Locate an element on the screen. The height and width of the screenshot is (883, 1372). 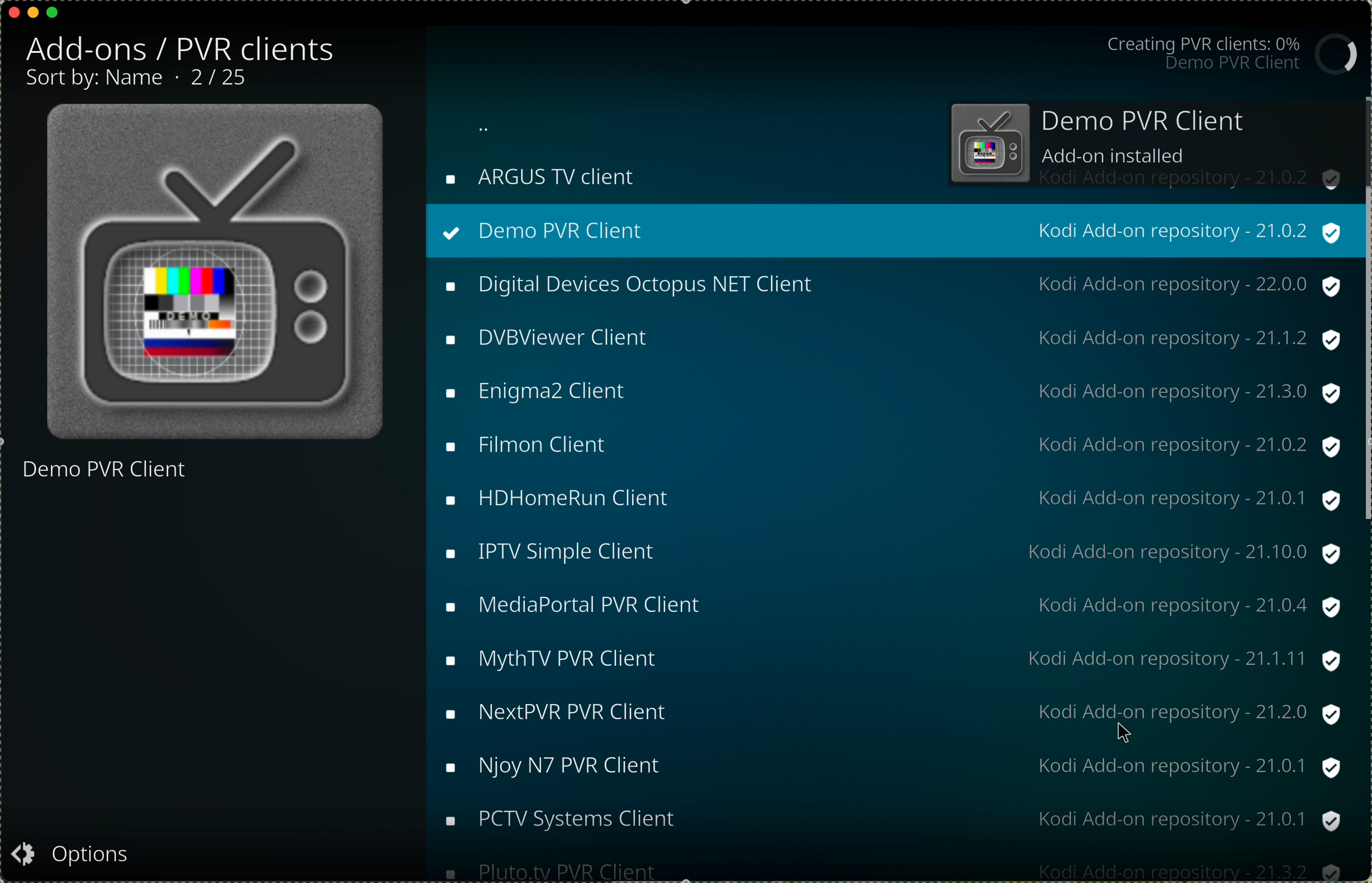
ARGUS TV client is located at coordinates (552, 173).